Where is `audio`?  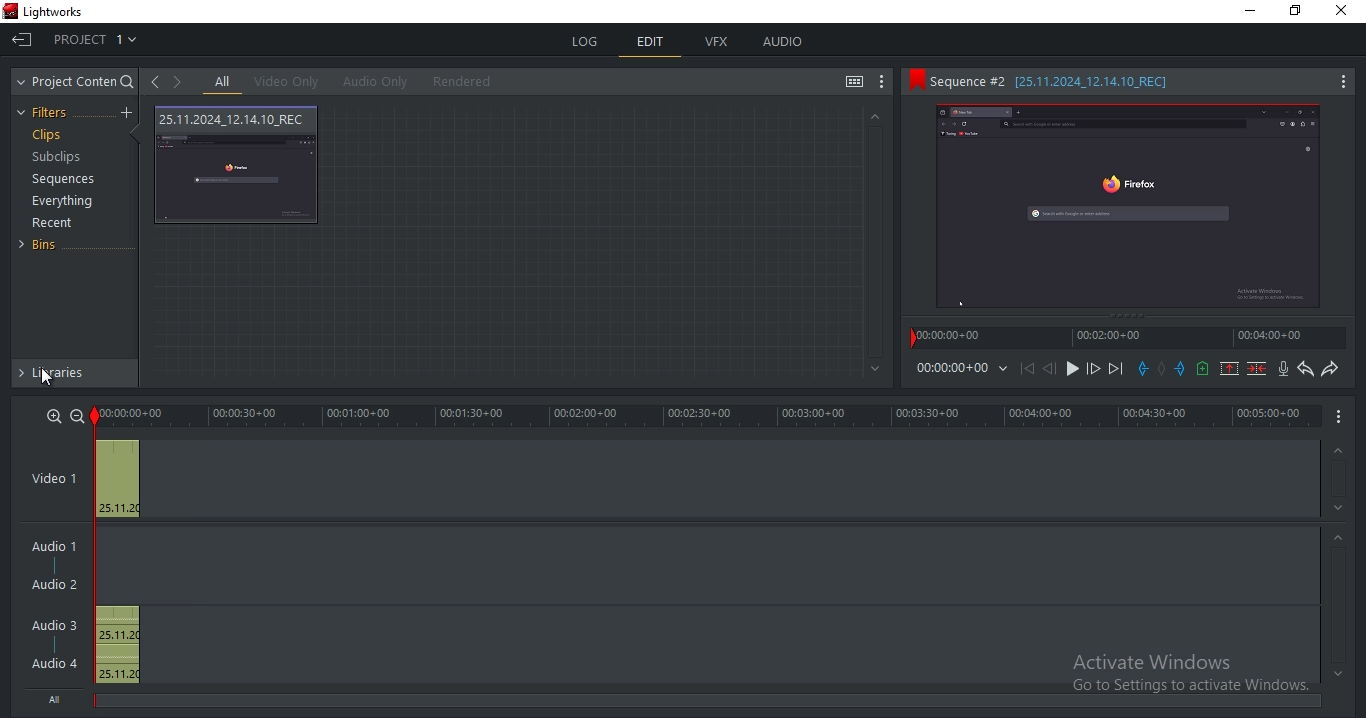 audio is located at coordinates (117, 644).